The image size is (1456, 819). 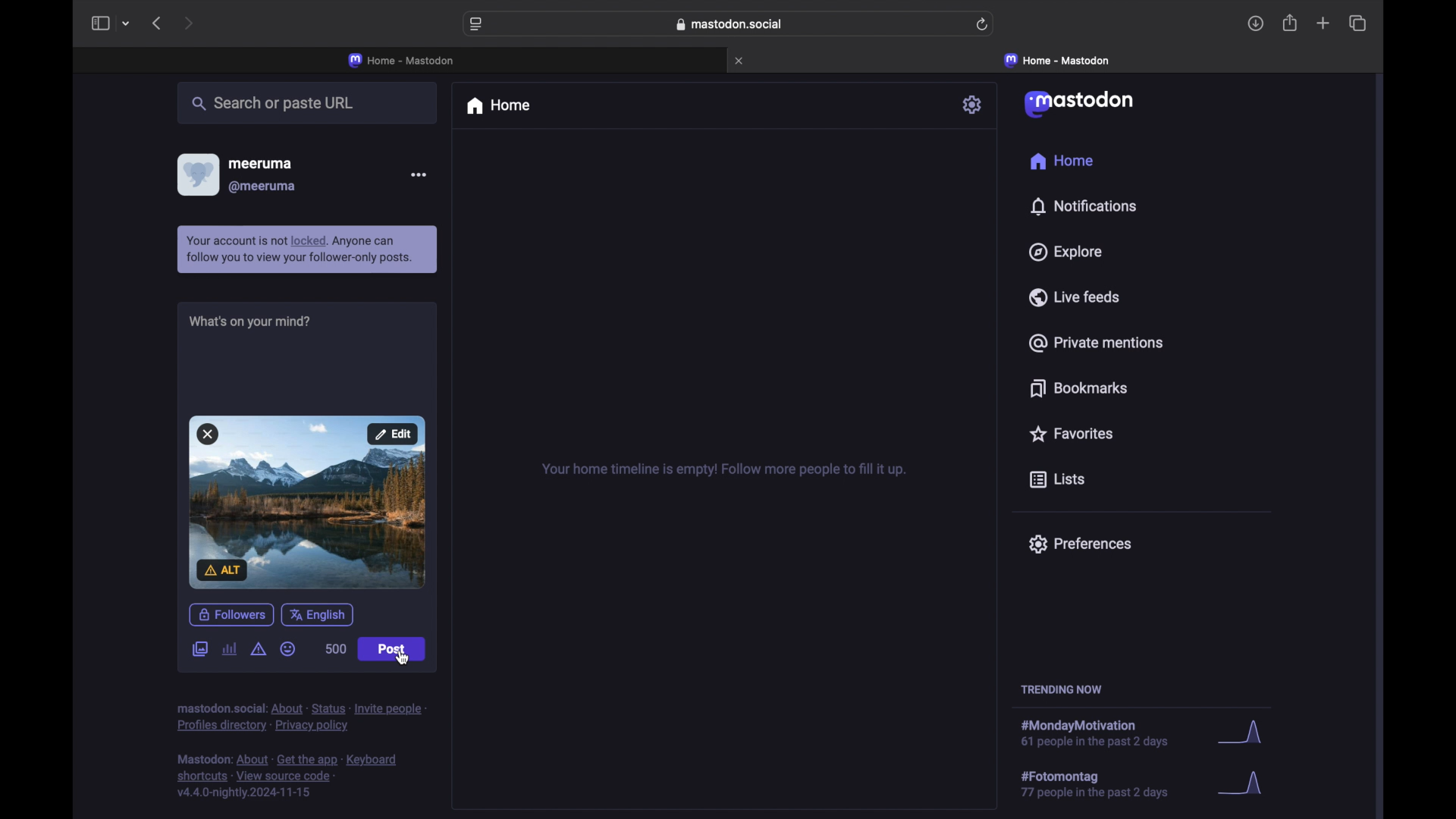 I want to click on footnote, so click(x=300, y=717).